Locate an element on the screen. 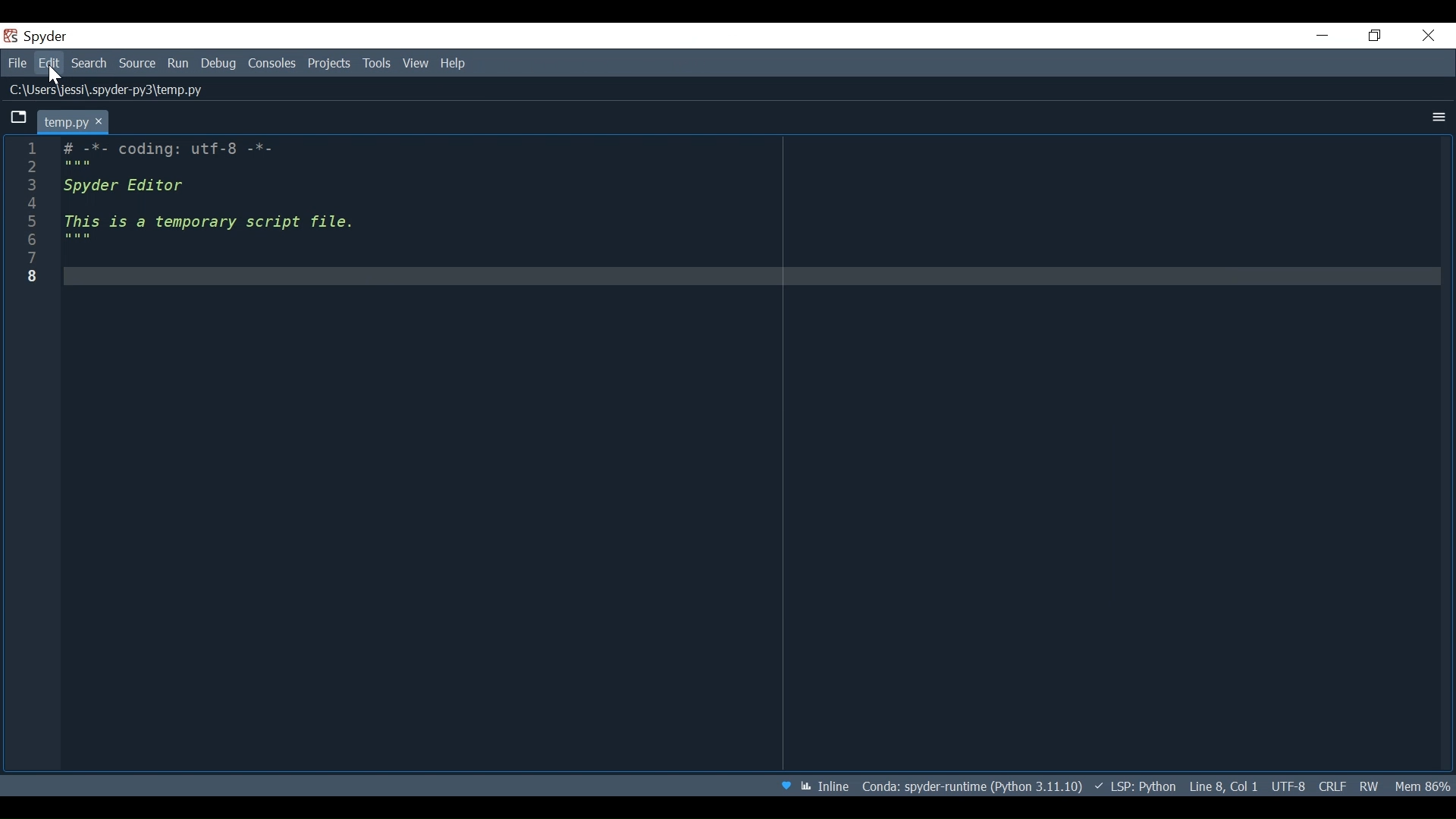 The width and height of the screenshot is (1456, 819). close is located at coordinates (105, 121).